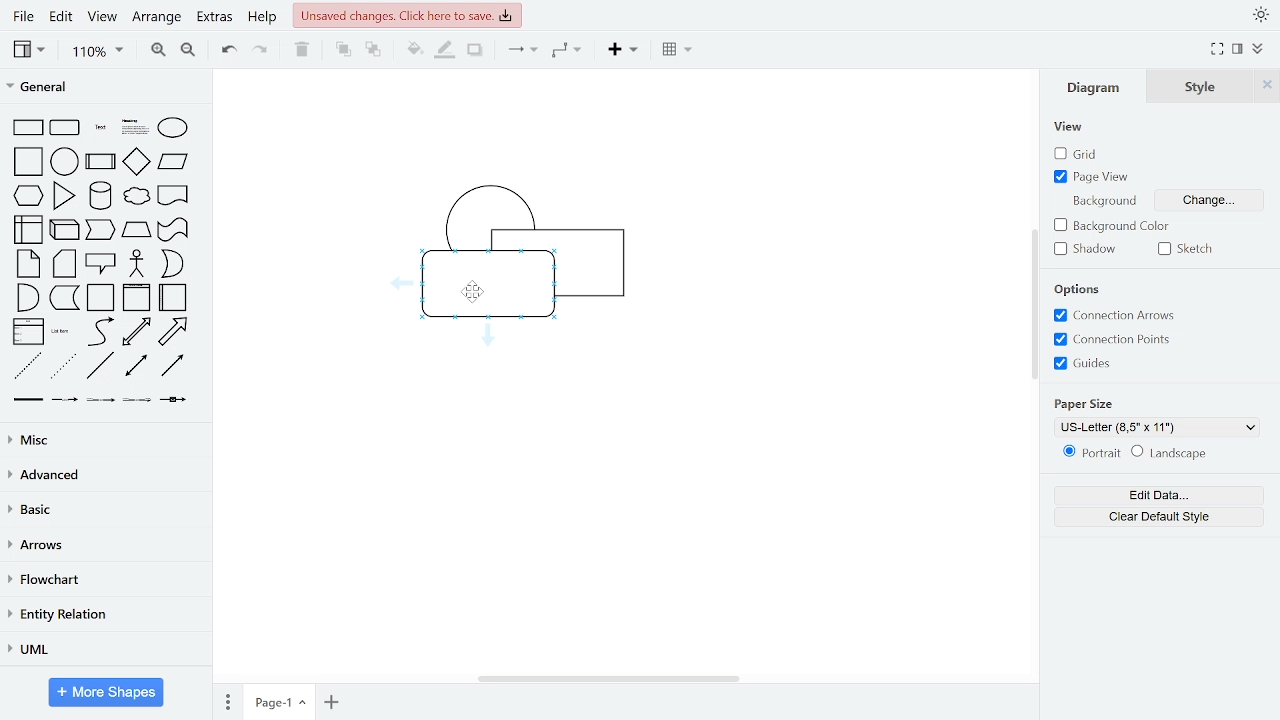  What do you see at coordinates (680, 52) in the screenshot?
I see `table` at bounding box center [680, 52].